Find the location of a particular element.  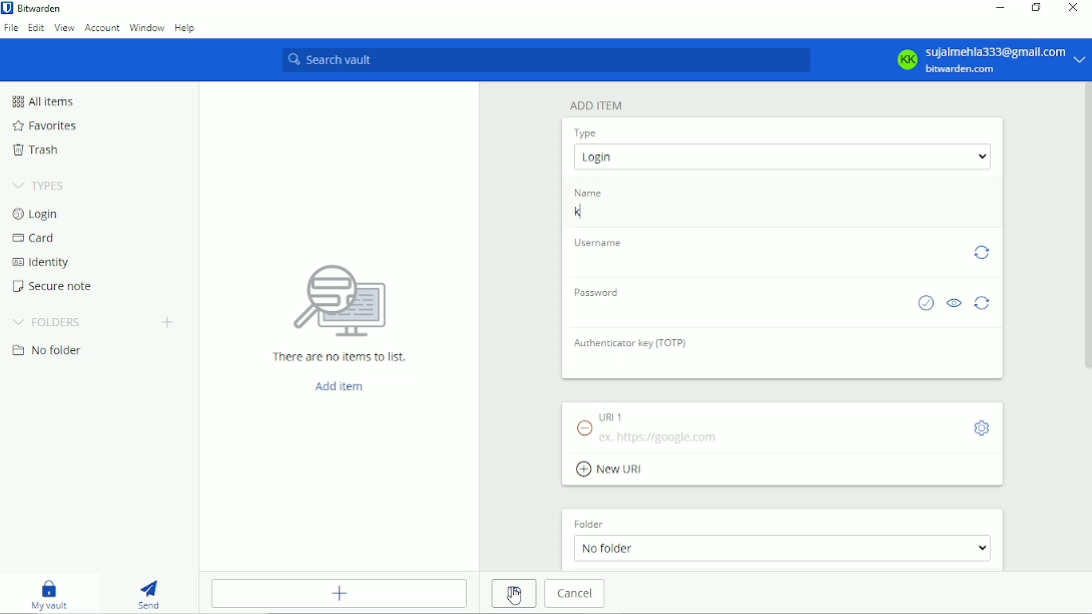

My vault is located at coordinates (48, 595).